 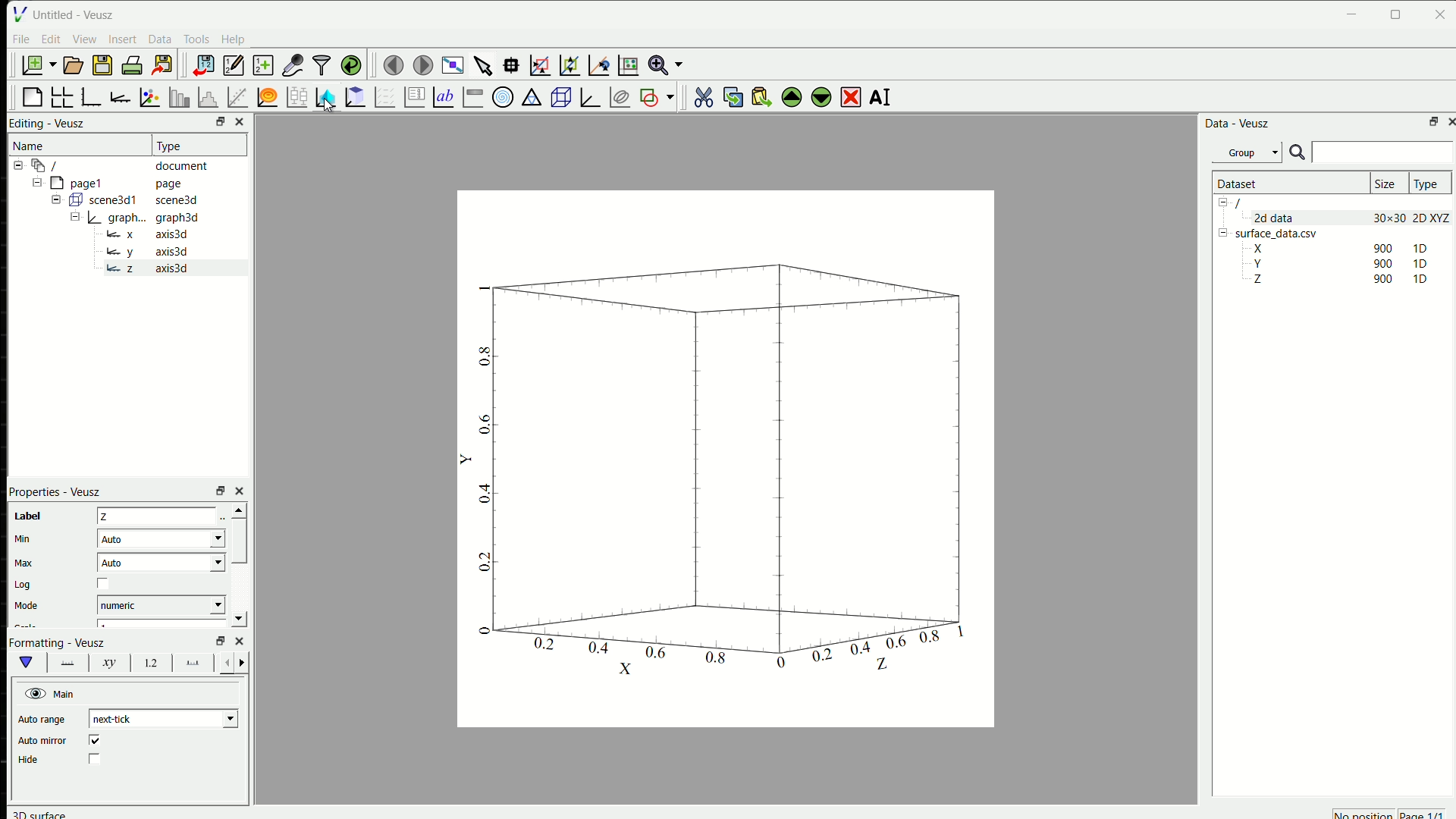 I want to click on open document, so click(x=74, y=65).